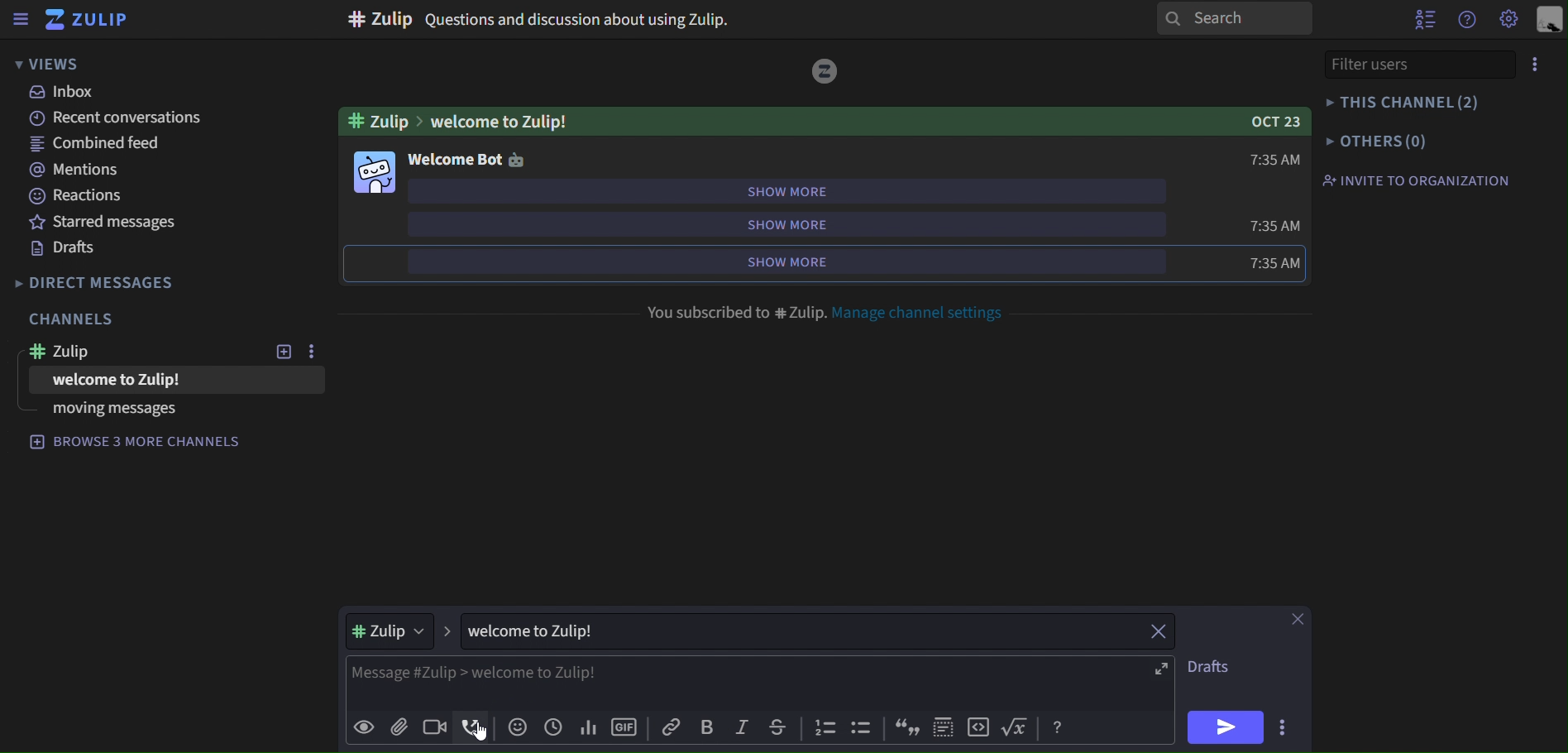  What do you see at coordinates (76, 318) in the screenshot?
I see `channels` at bounding box center [76, 318].